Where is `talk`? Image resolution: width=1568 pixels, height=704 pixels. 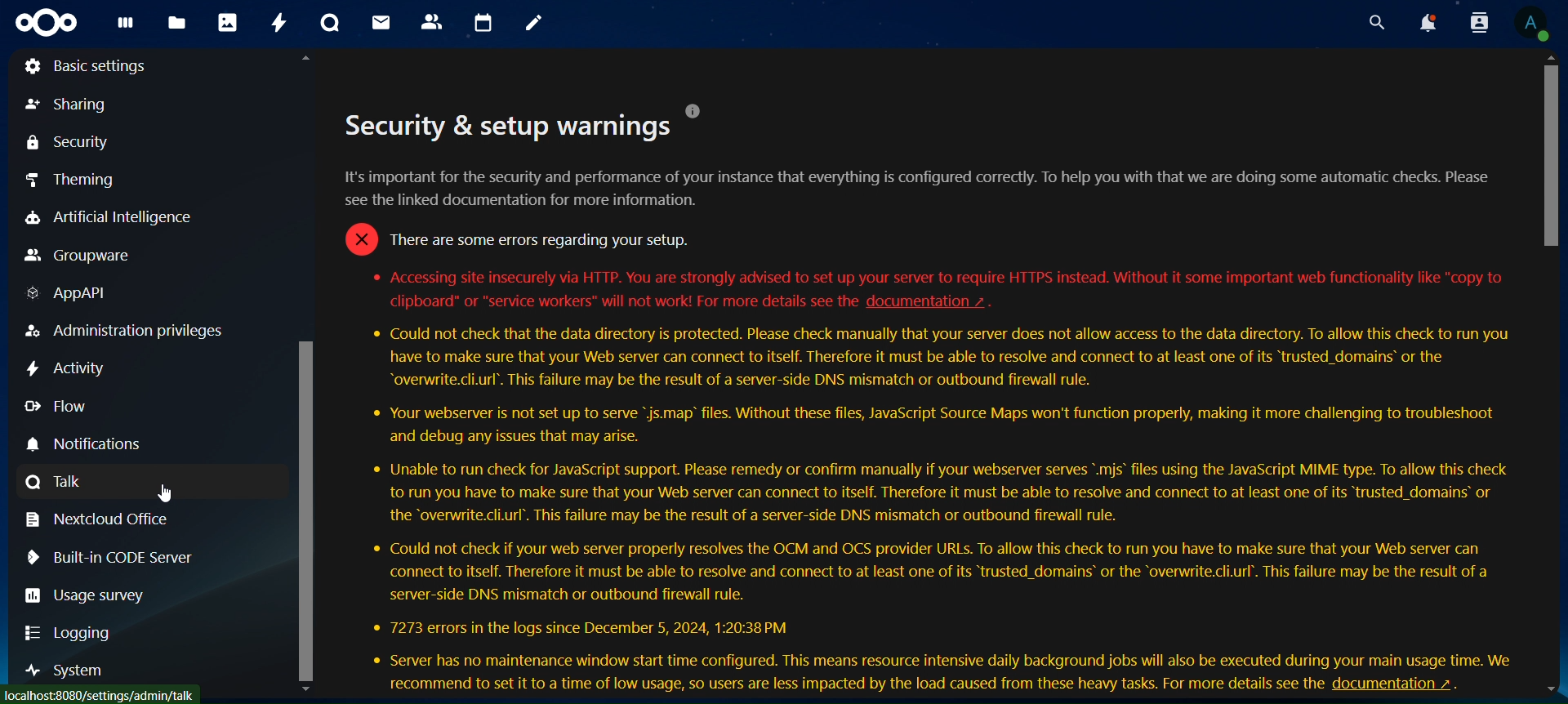
talk is located at coordinates (63, 482).